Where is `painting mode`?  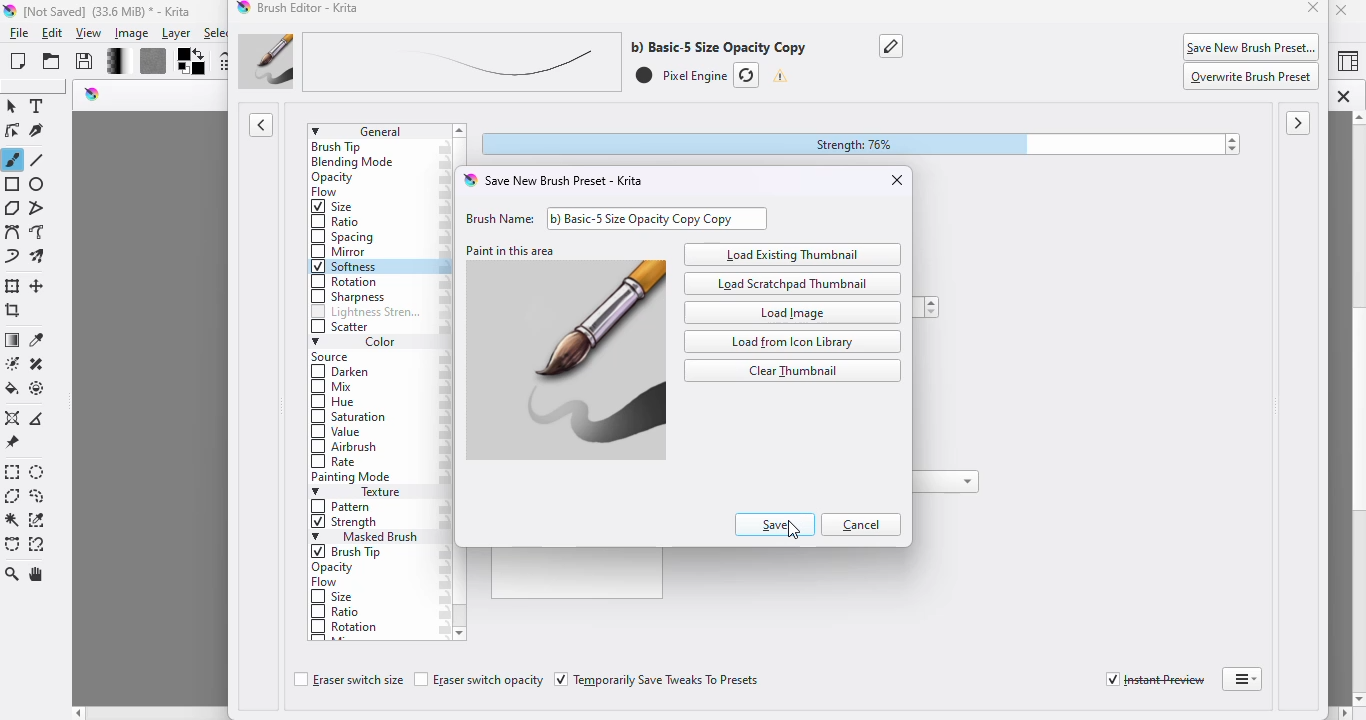
painting mode is located at coordinates (353, 478).